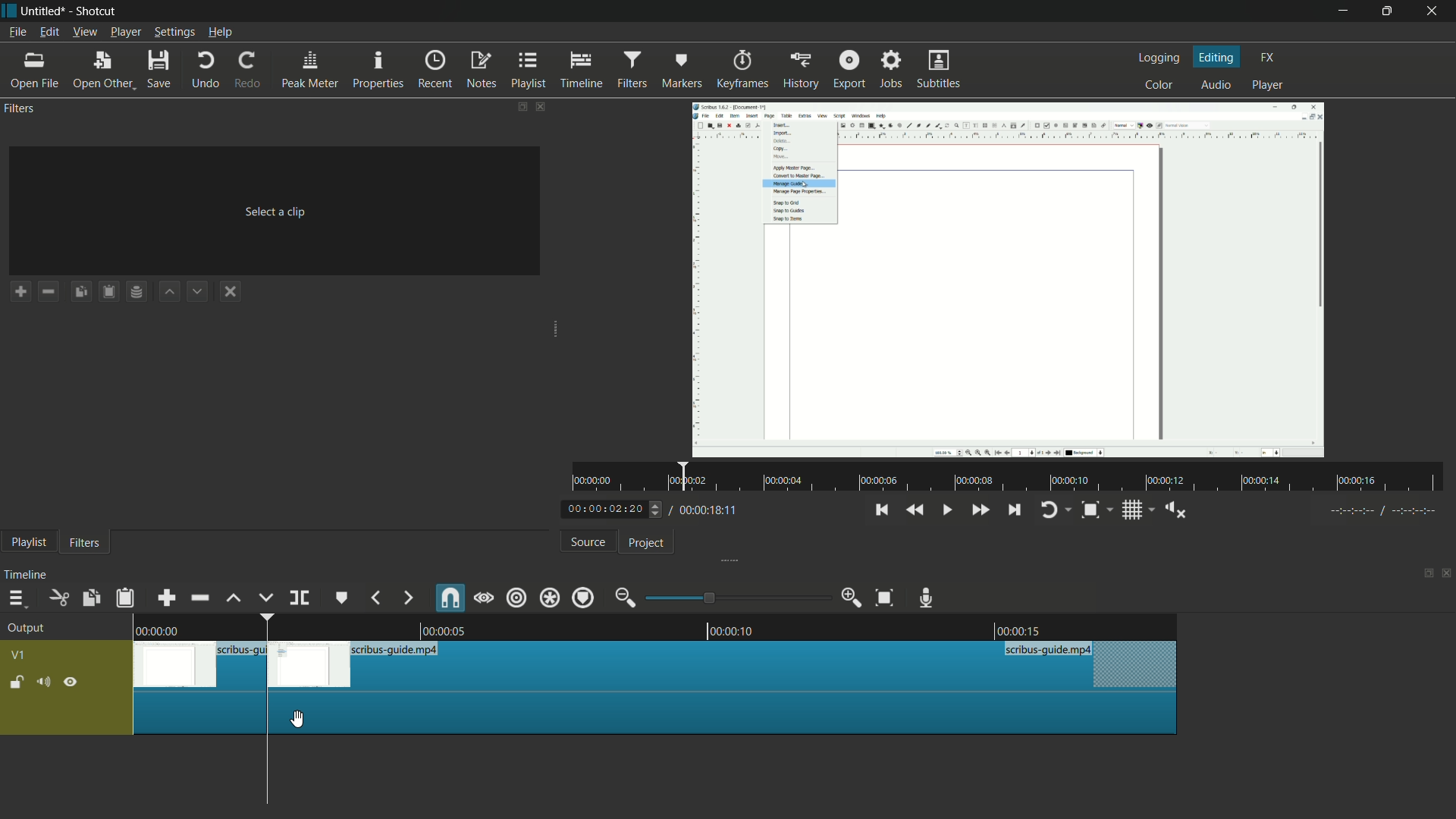 This screenshot has width=1456, height=819. I want to click on audio, so click(1216, 86).